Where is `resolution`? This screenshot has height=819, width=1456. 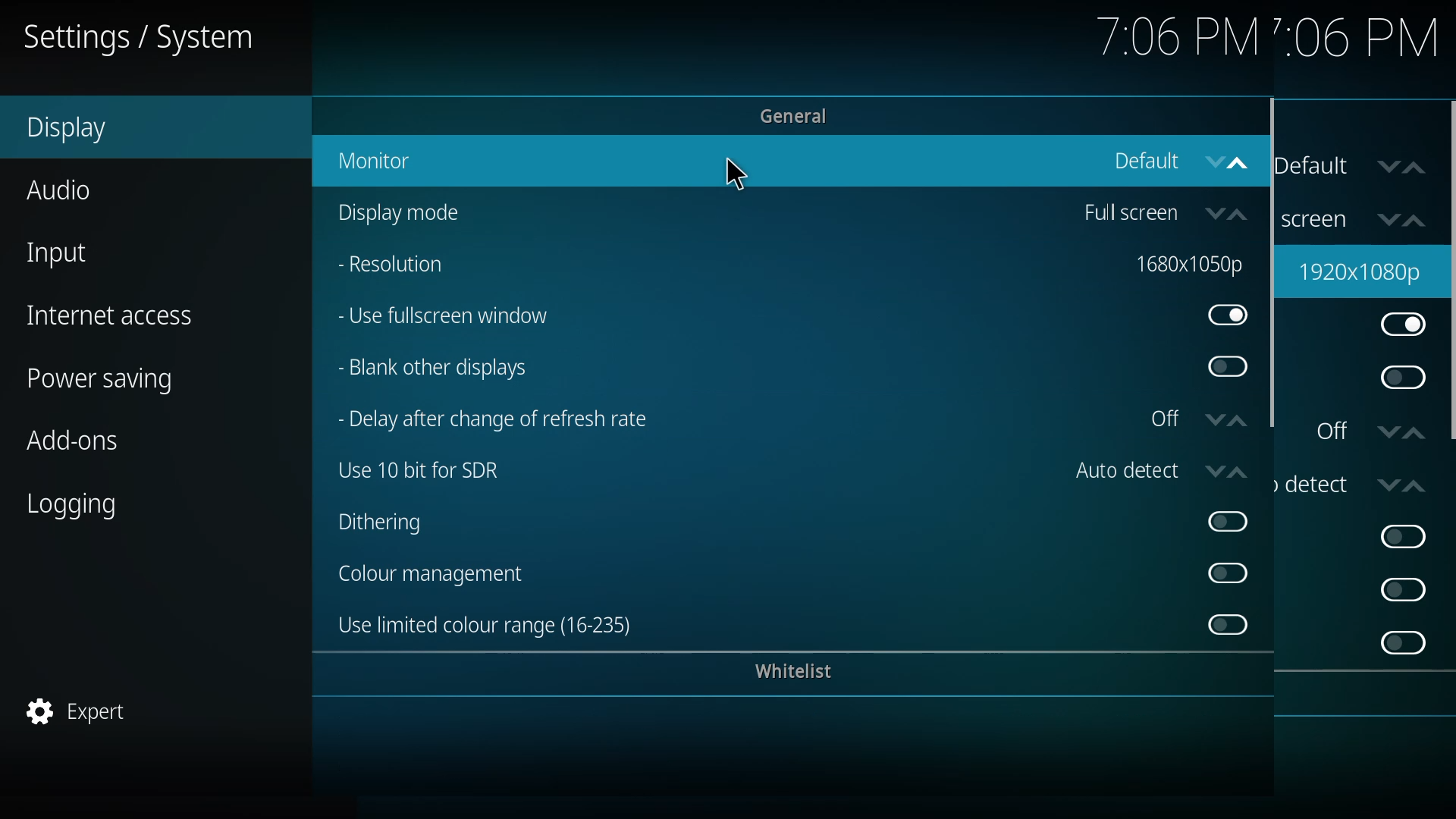
resolution is located at coordinates (1367, 271).